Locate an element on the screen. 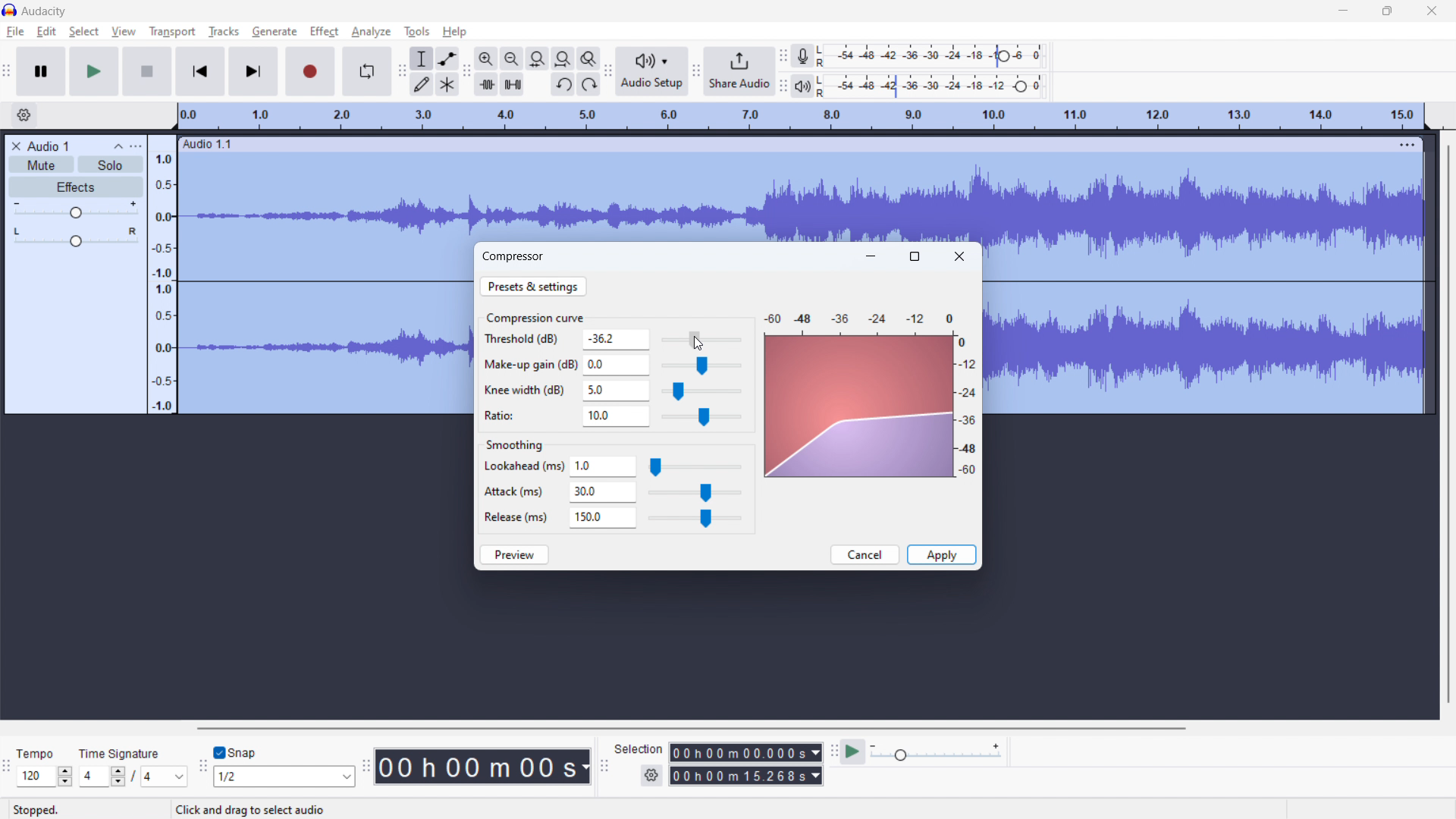  Click and drag to select audio is located at coordinates (243, 809).